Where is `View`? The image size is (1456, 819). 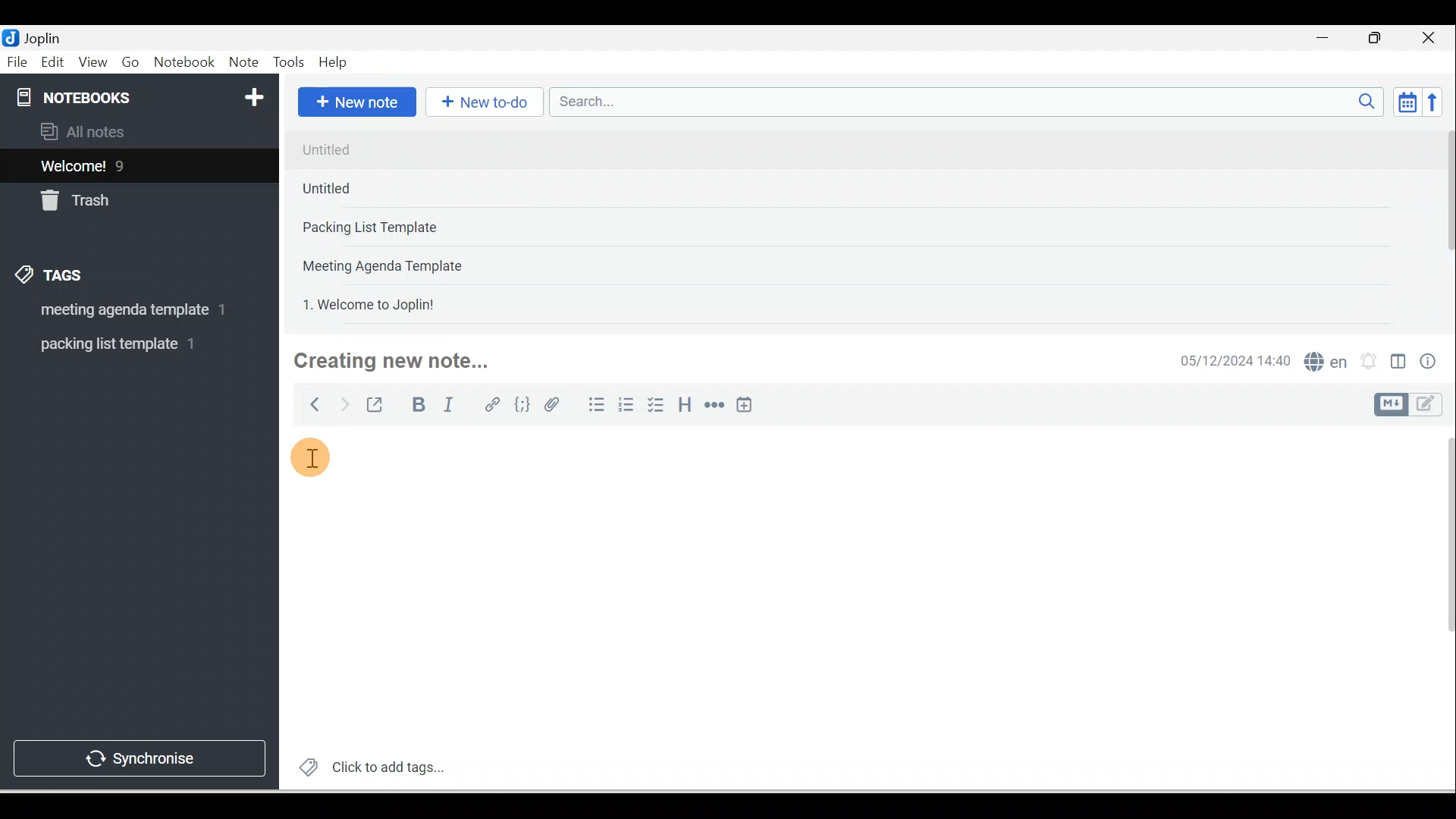
View is located at coordinates (93, 63).